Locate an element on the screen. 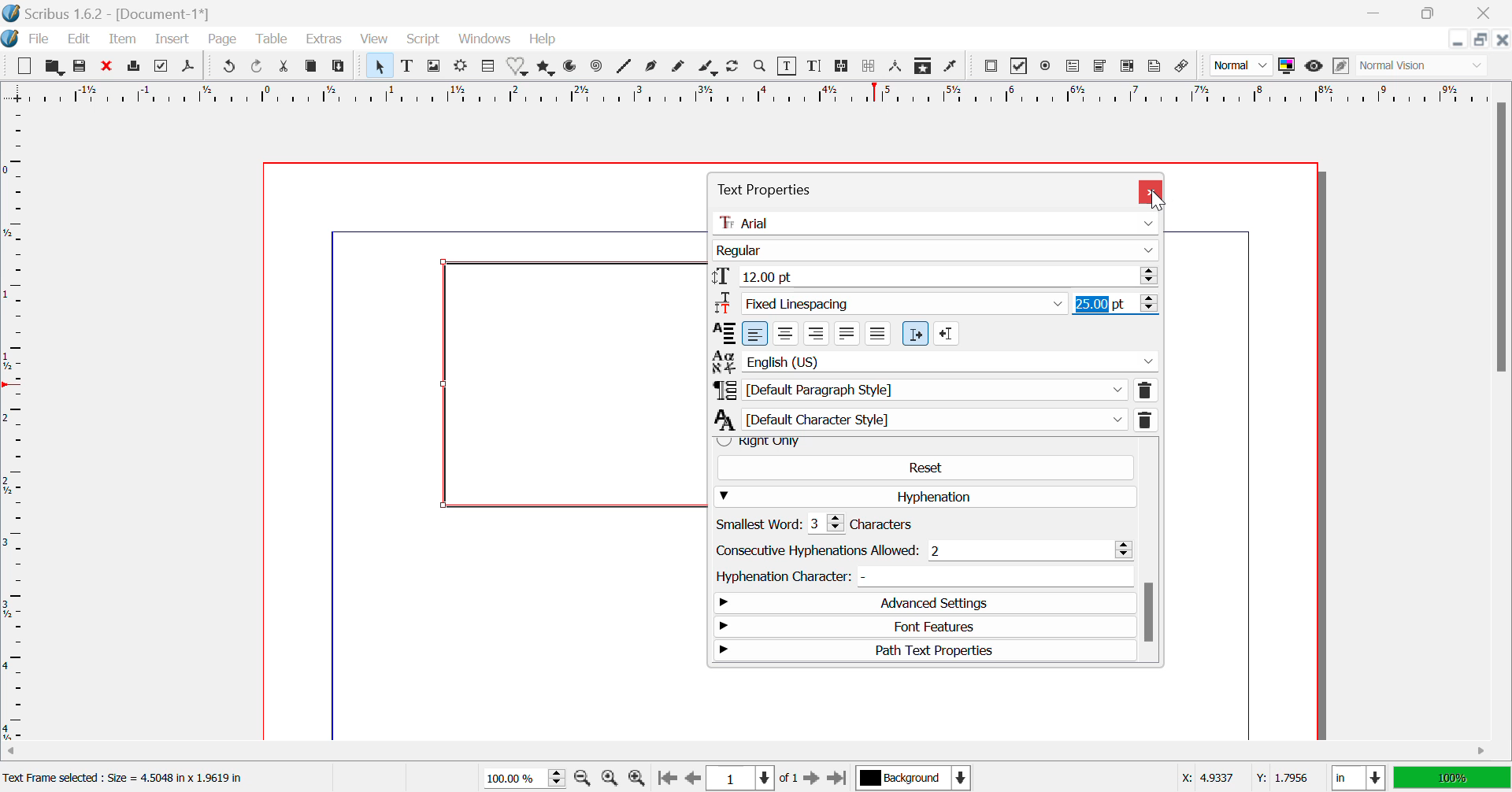 This screenshot has width=1512, height=792. Bezier Curve is located at coordinates (654, 68).